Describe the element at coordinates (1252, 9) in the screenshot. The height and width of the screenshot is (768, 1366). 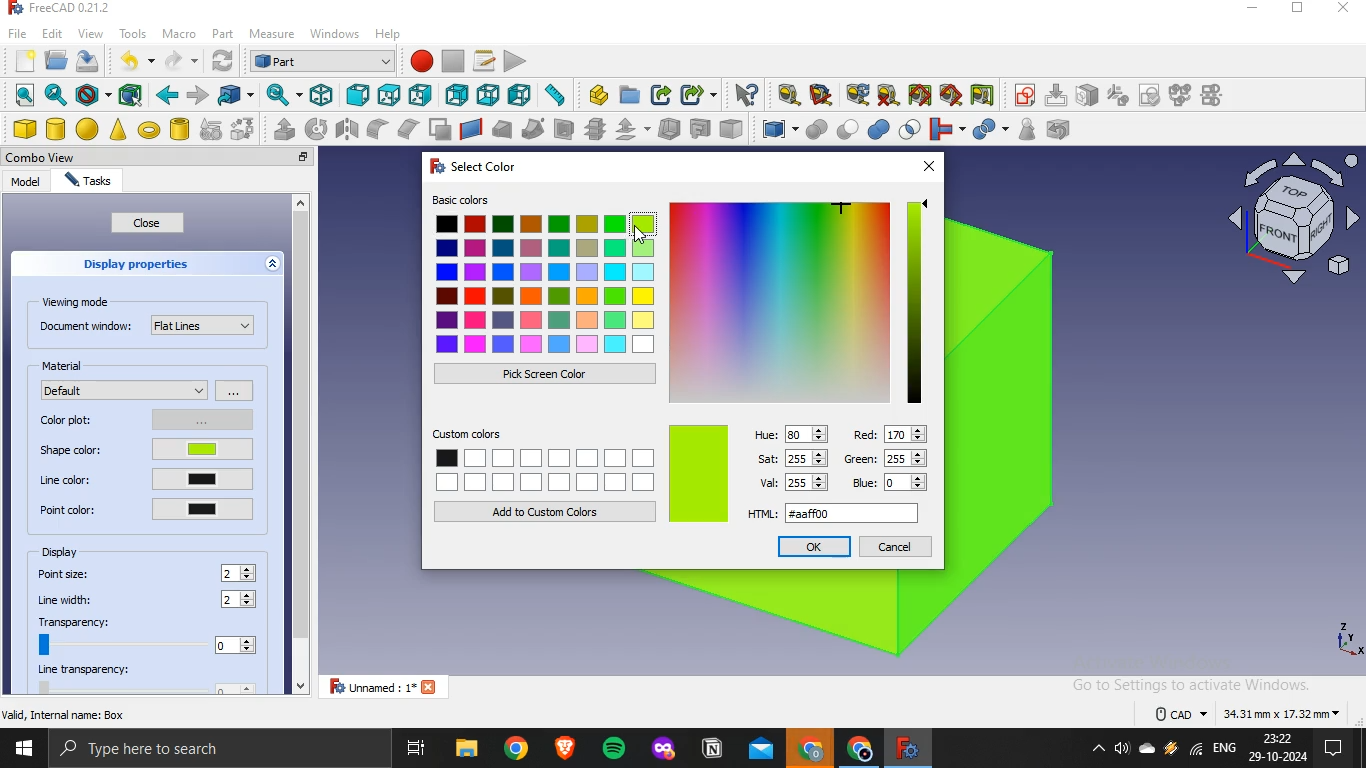
I see `minimize` at that location.